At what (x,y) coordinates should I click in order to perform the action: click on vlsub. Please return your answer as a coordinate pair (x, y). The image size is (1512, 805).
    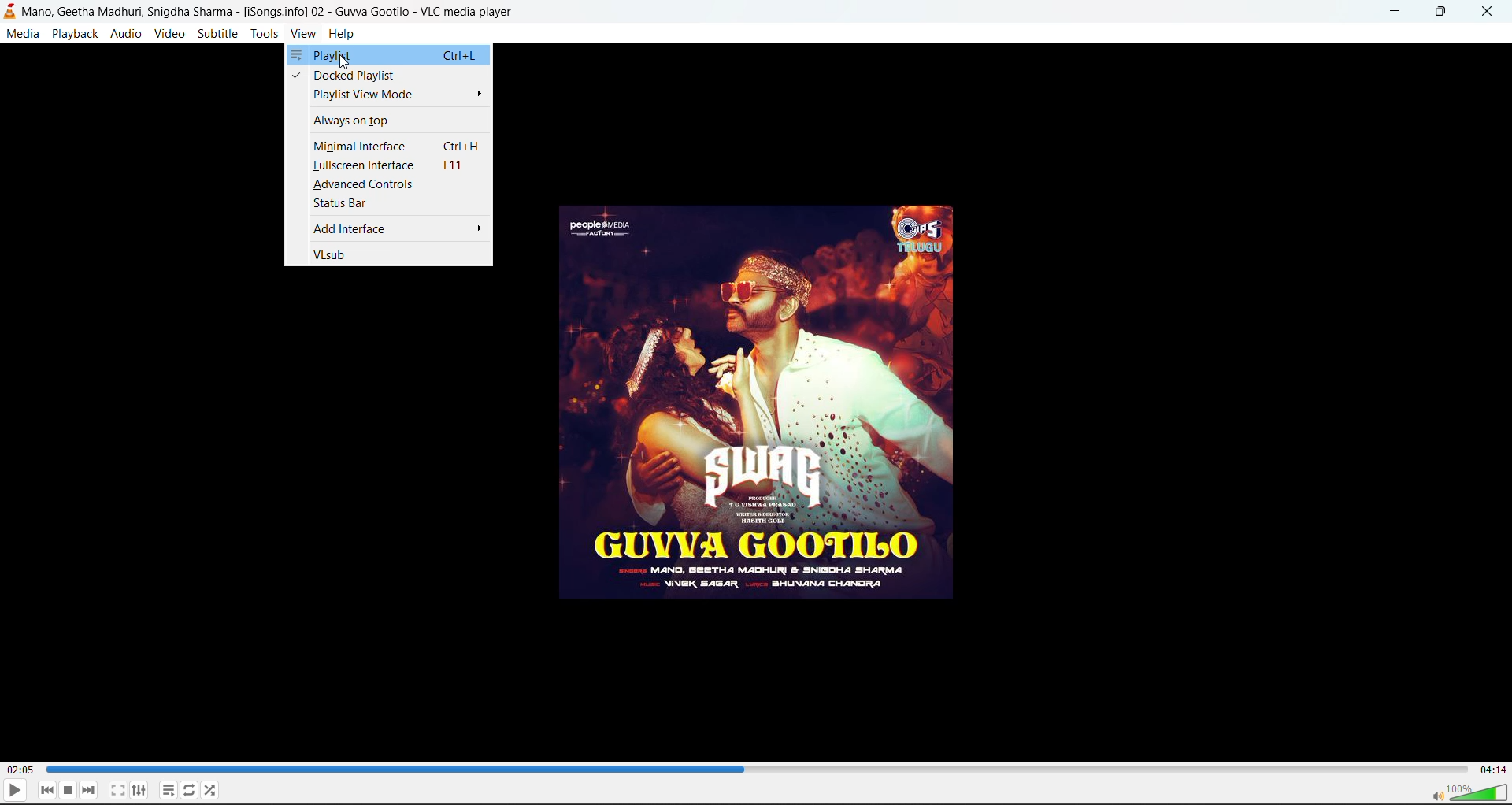
    Looking at the image, I should click on (388, 254).